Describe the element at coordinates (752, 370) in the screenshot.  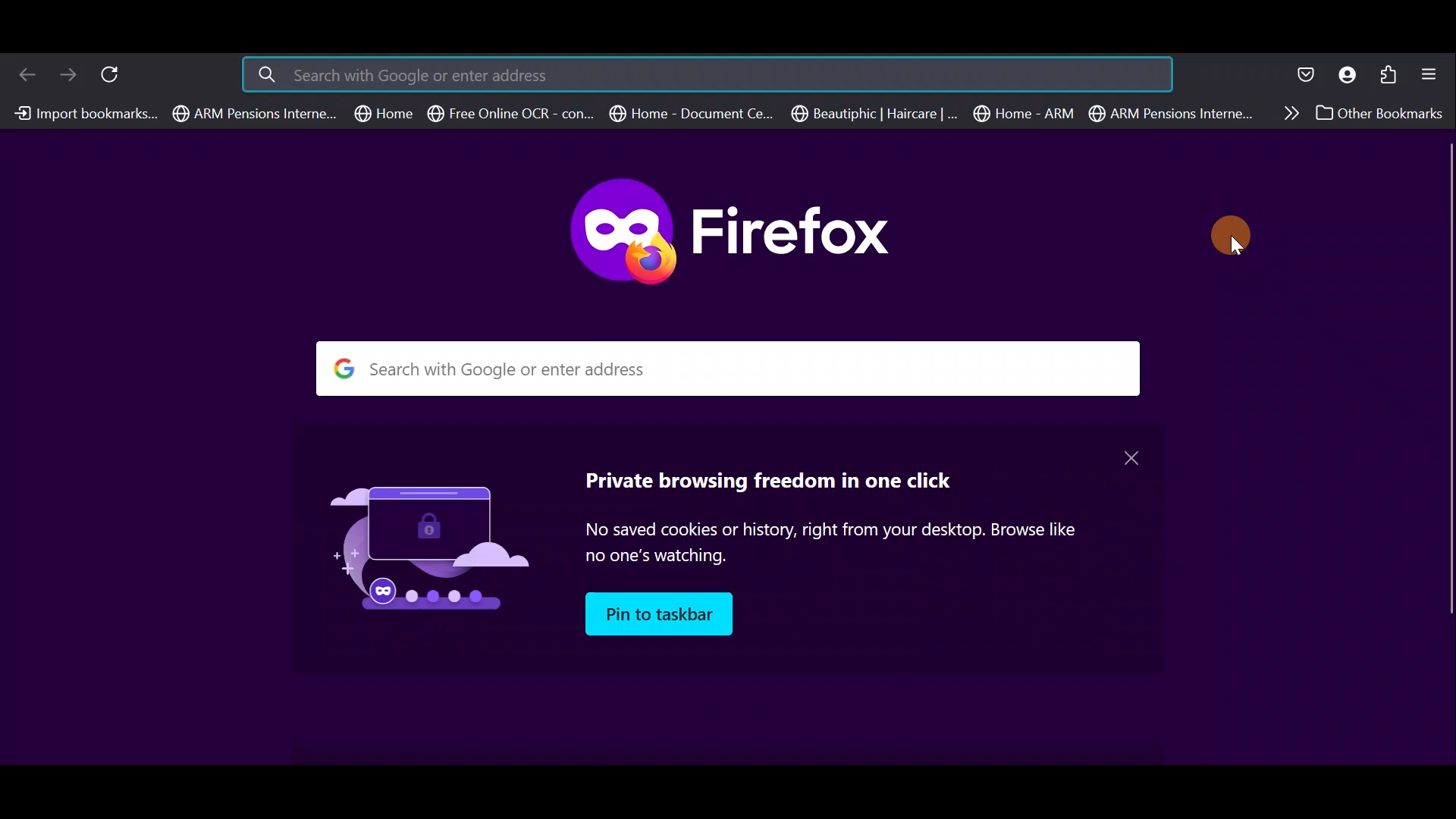
I see `Search bar` at that location.